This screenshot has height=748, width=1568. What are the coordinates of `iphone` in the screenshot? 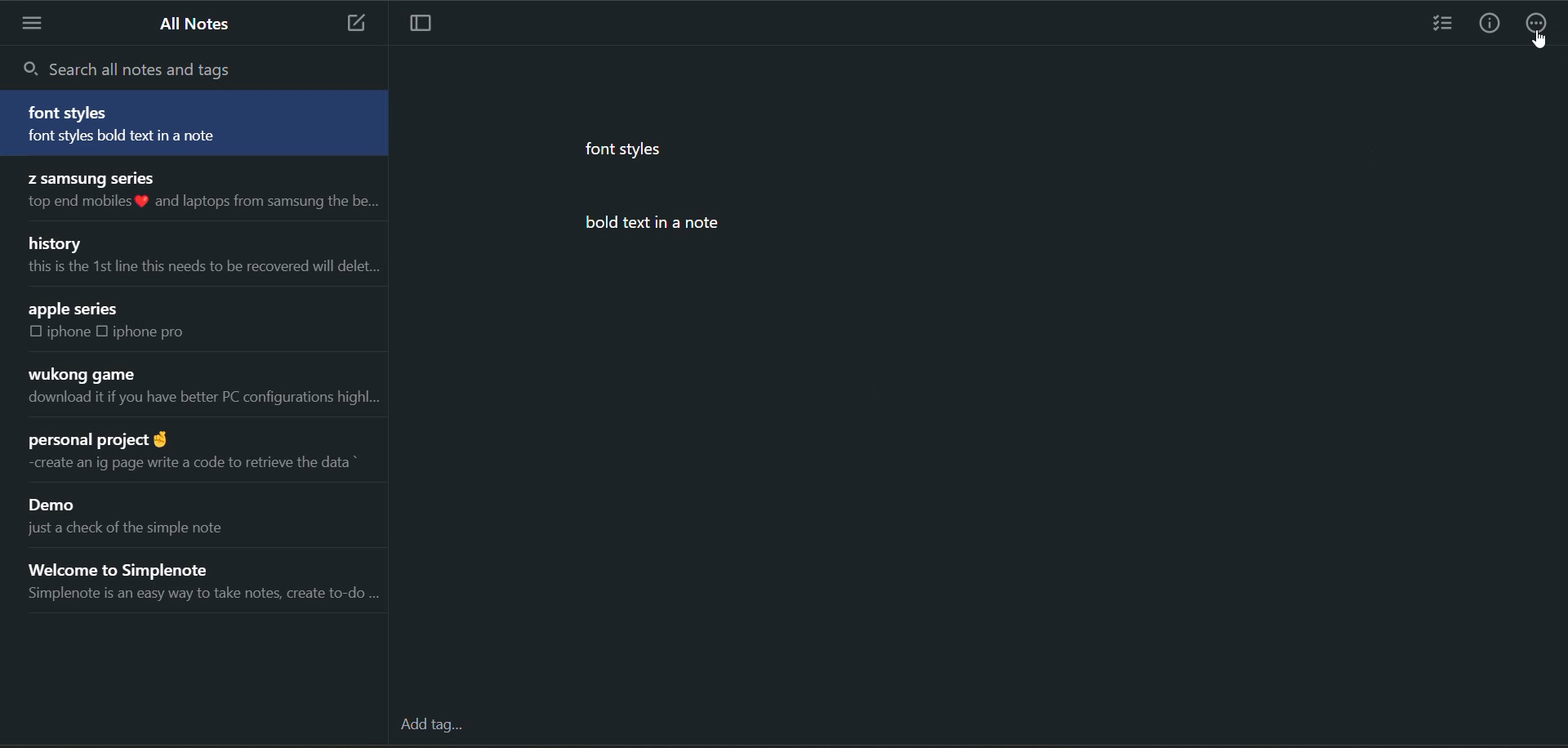 It's located at (70, 332).